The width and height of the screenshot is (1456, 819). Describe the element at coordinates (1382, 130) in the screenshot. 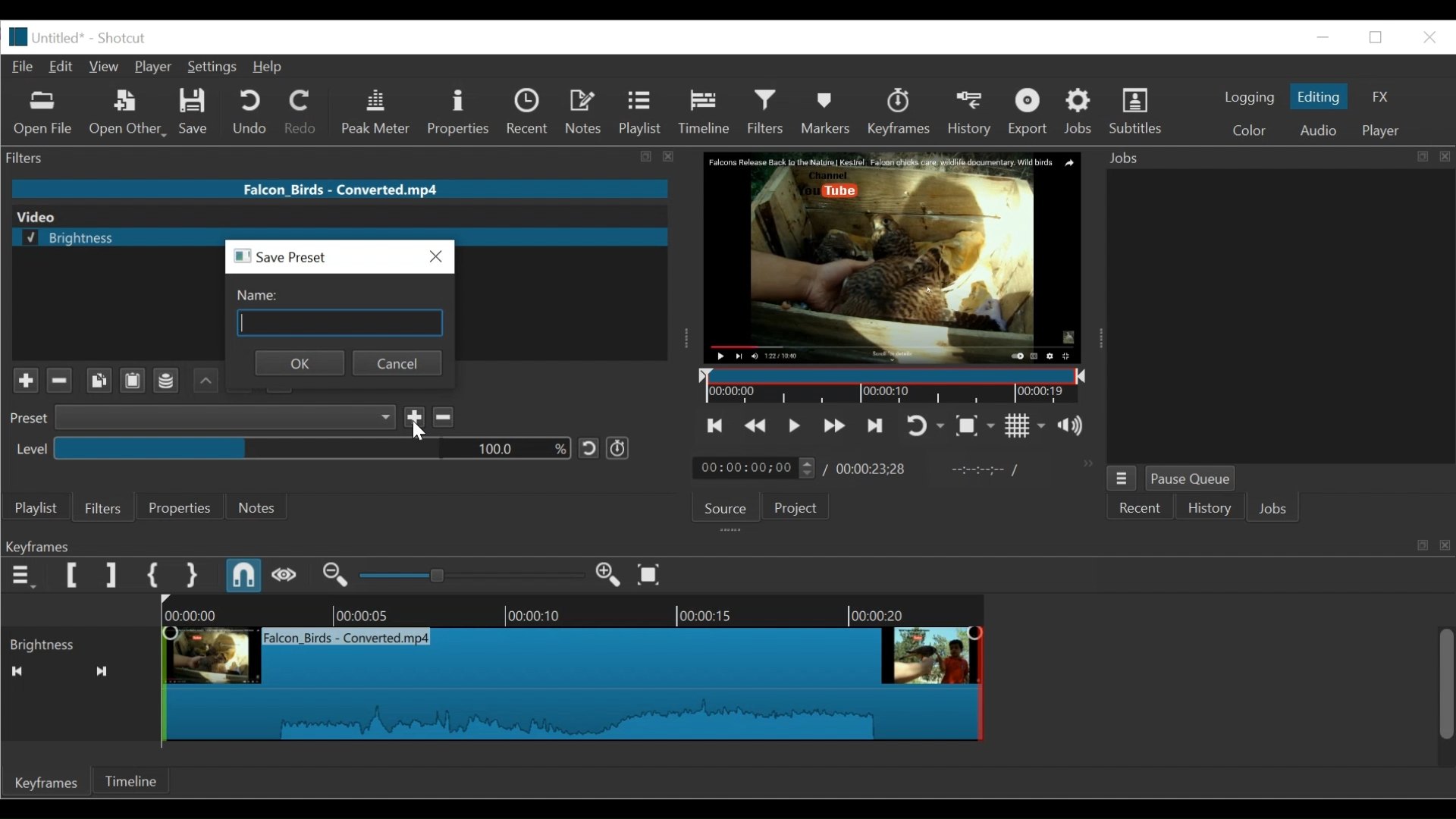

I see `Player` at that location.